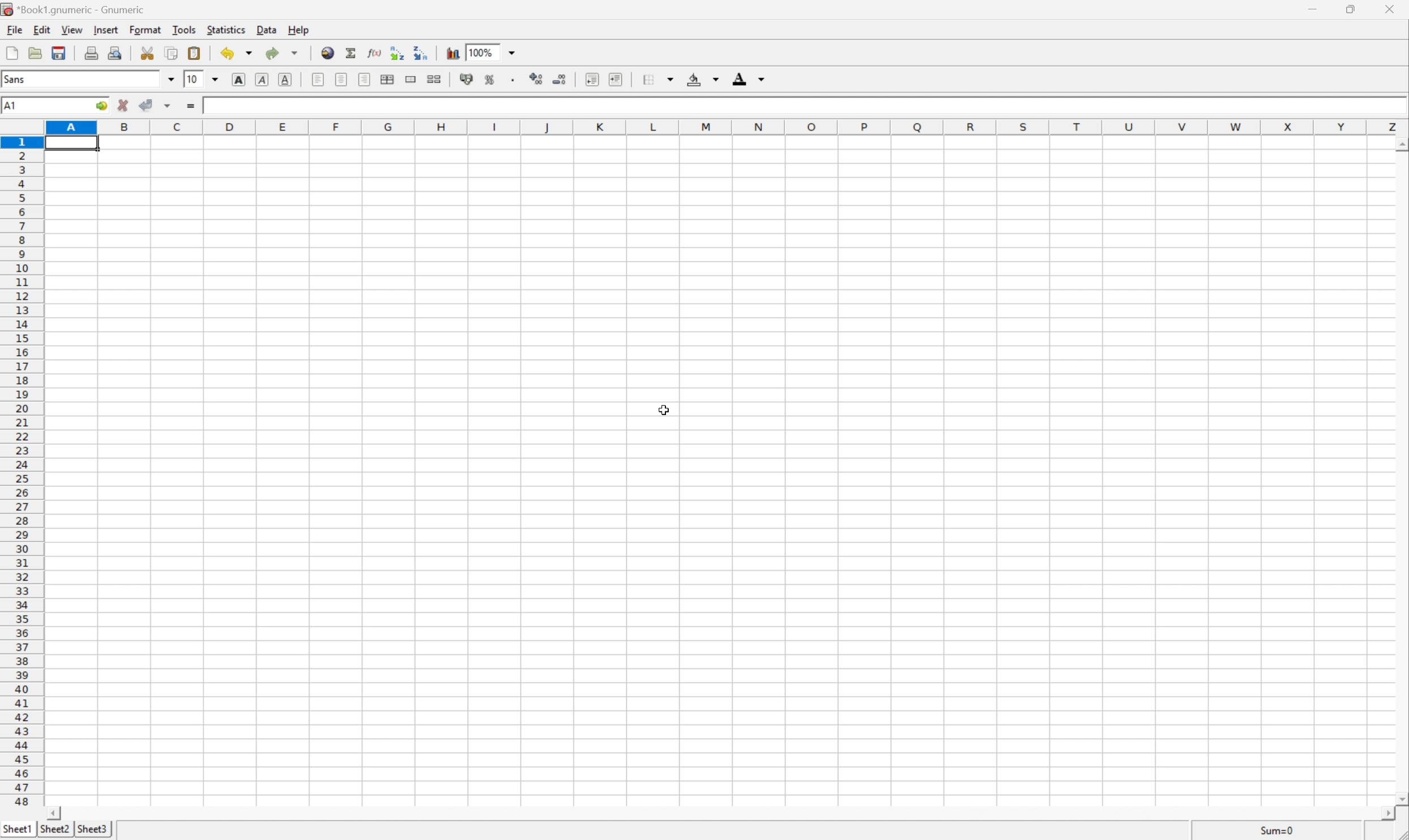 This screenshot has width=1409, height=840. What do you see at coordinates (298, 30) in the screenshot?
I see `Help` at bounding box center [298, 30].